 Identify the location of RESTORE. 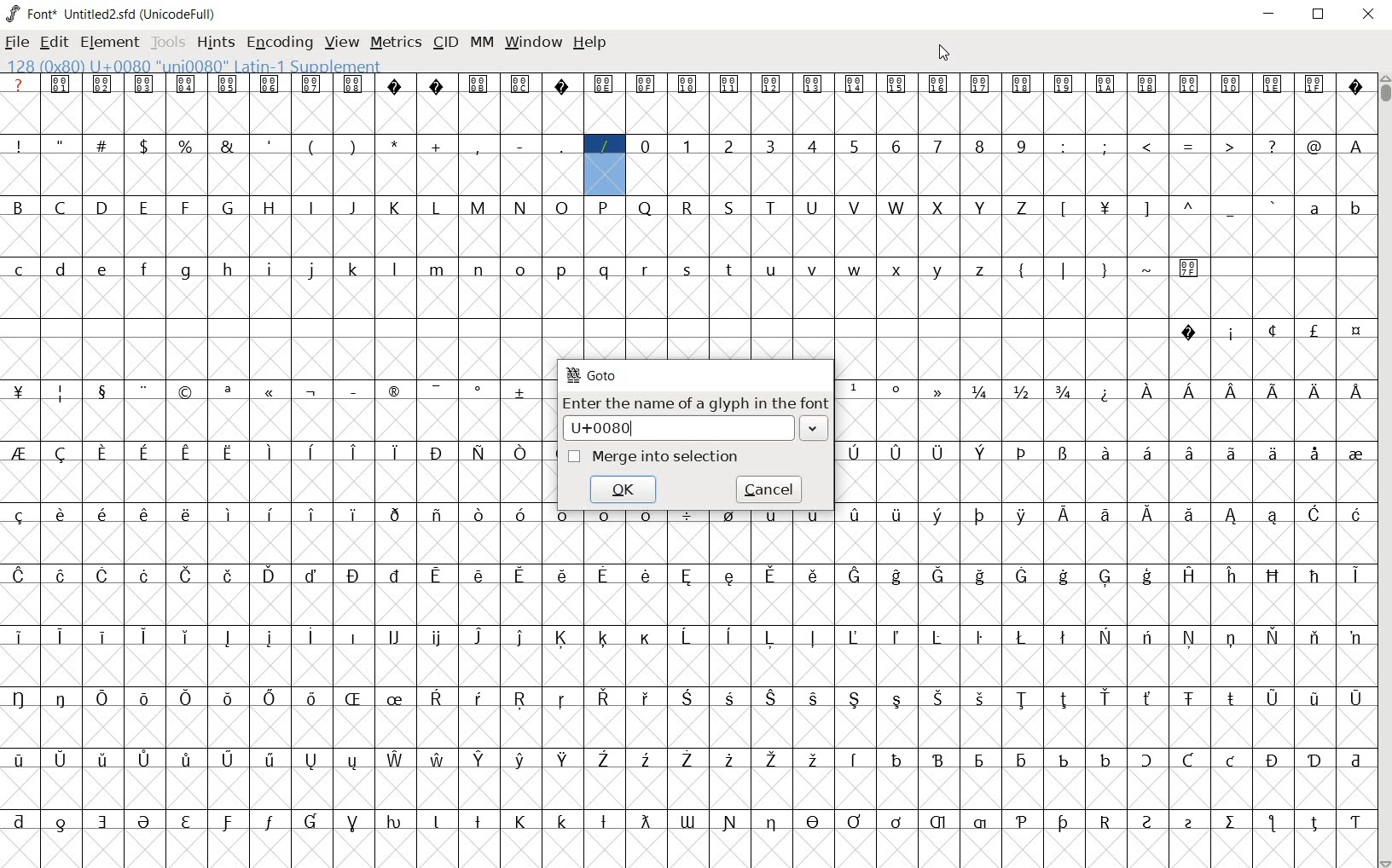
(1322, 16).